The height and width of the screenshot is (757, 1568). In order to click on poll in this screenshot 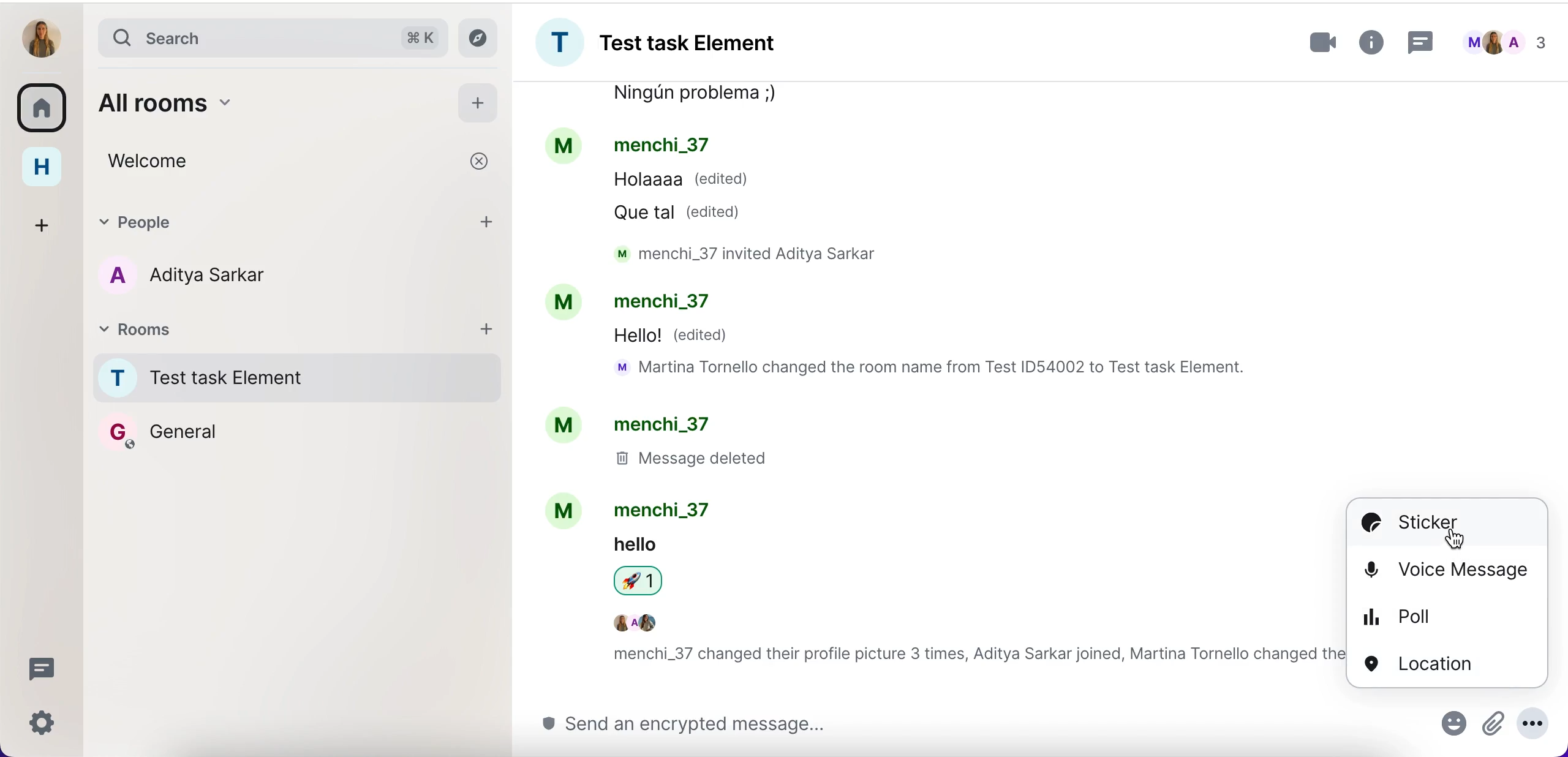, I will do `click(1447, 616)`.